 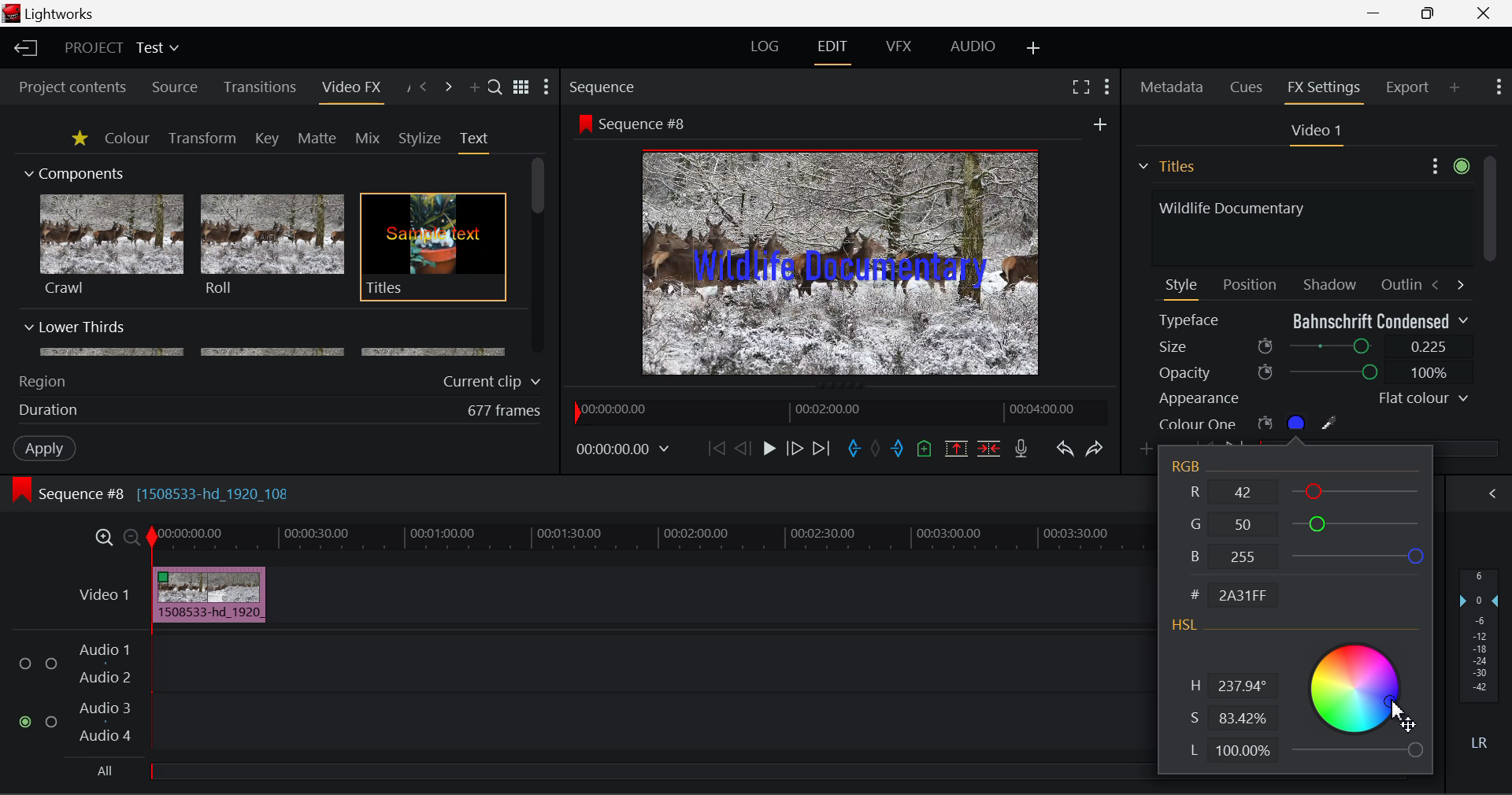 What do you see at coordinates (794, 449) in the screenshot?
I see `Go Forward` at bounding box center [794, 449].